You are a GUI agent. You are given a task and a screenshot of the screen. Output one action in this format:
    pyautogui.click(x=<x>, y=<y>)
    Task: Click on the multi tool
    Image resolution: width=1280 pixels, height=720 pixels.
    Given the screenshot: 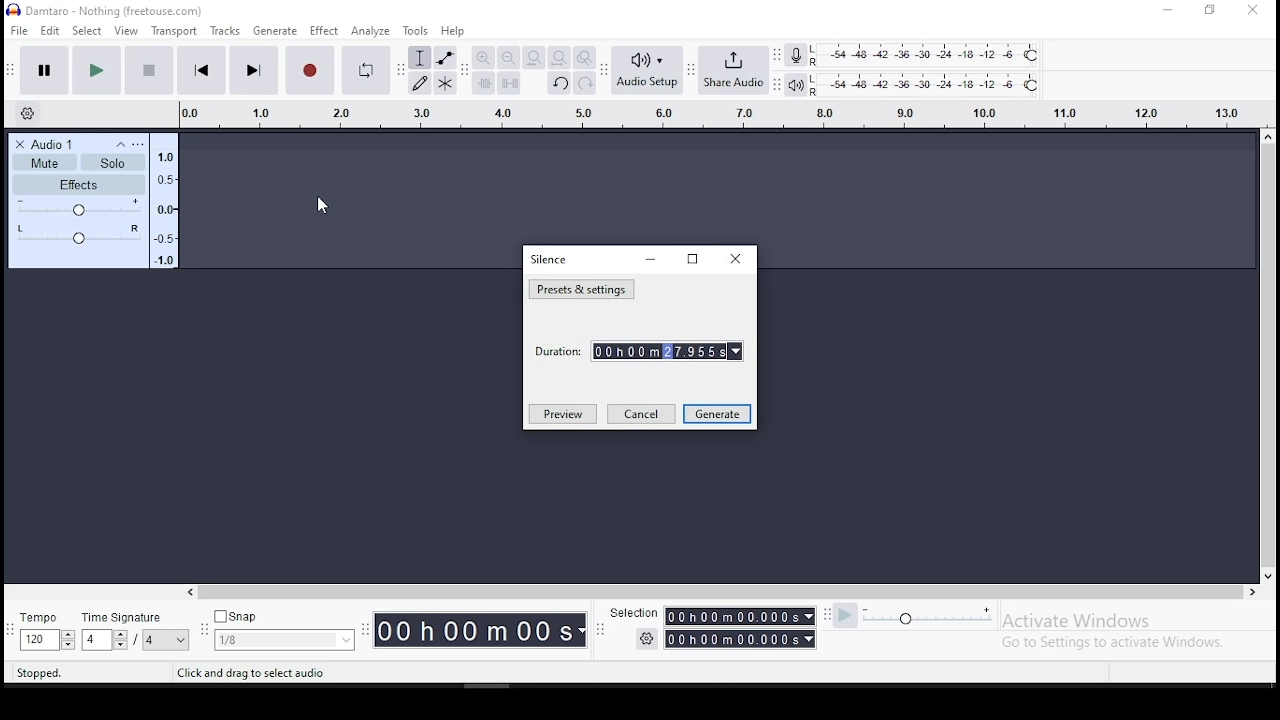 What is the action you would take?
    pyautogui.click(x=445, y=83)
    